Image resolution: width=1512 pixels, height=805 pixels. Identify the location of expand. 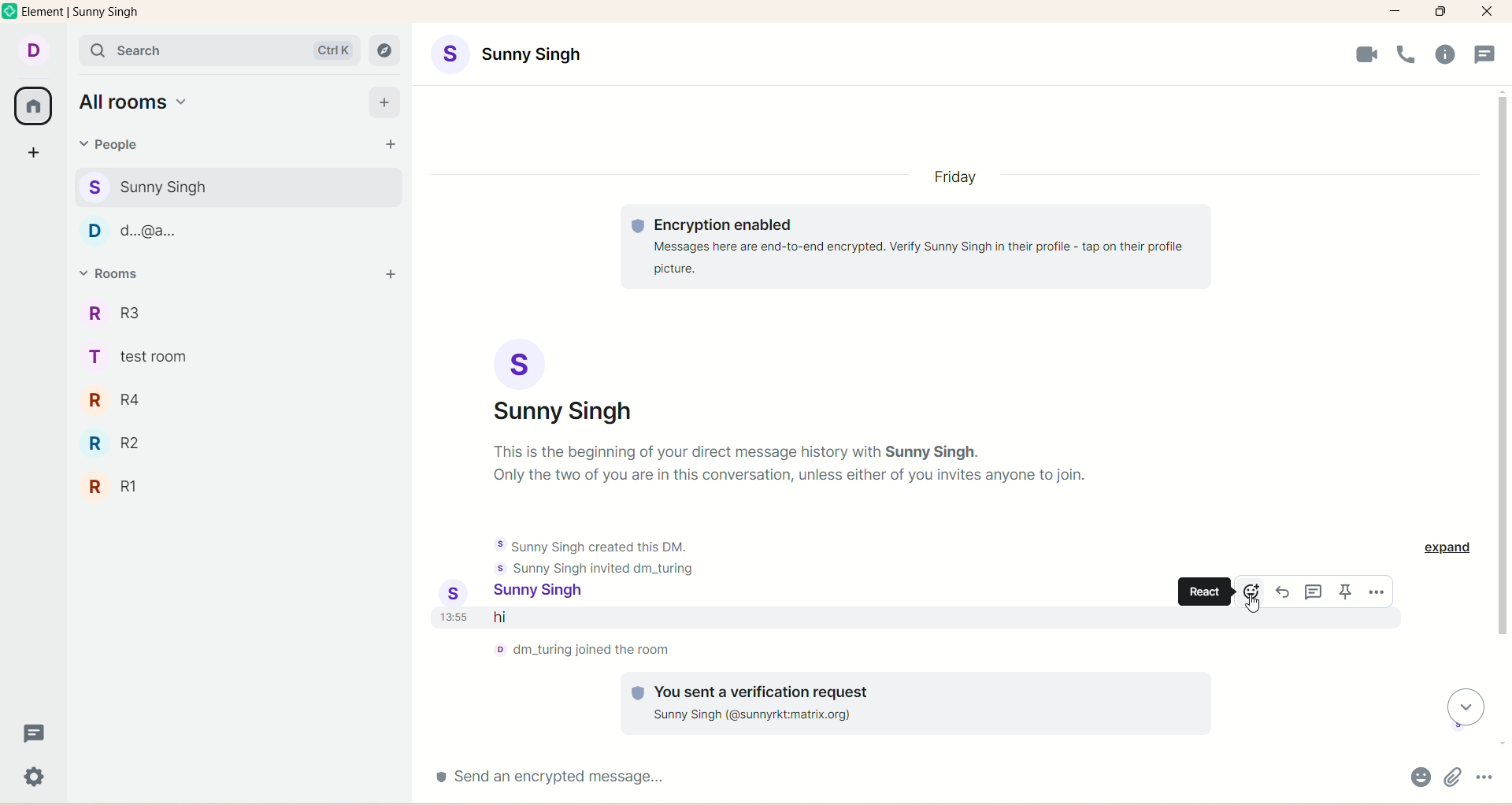
(1448, 548).